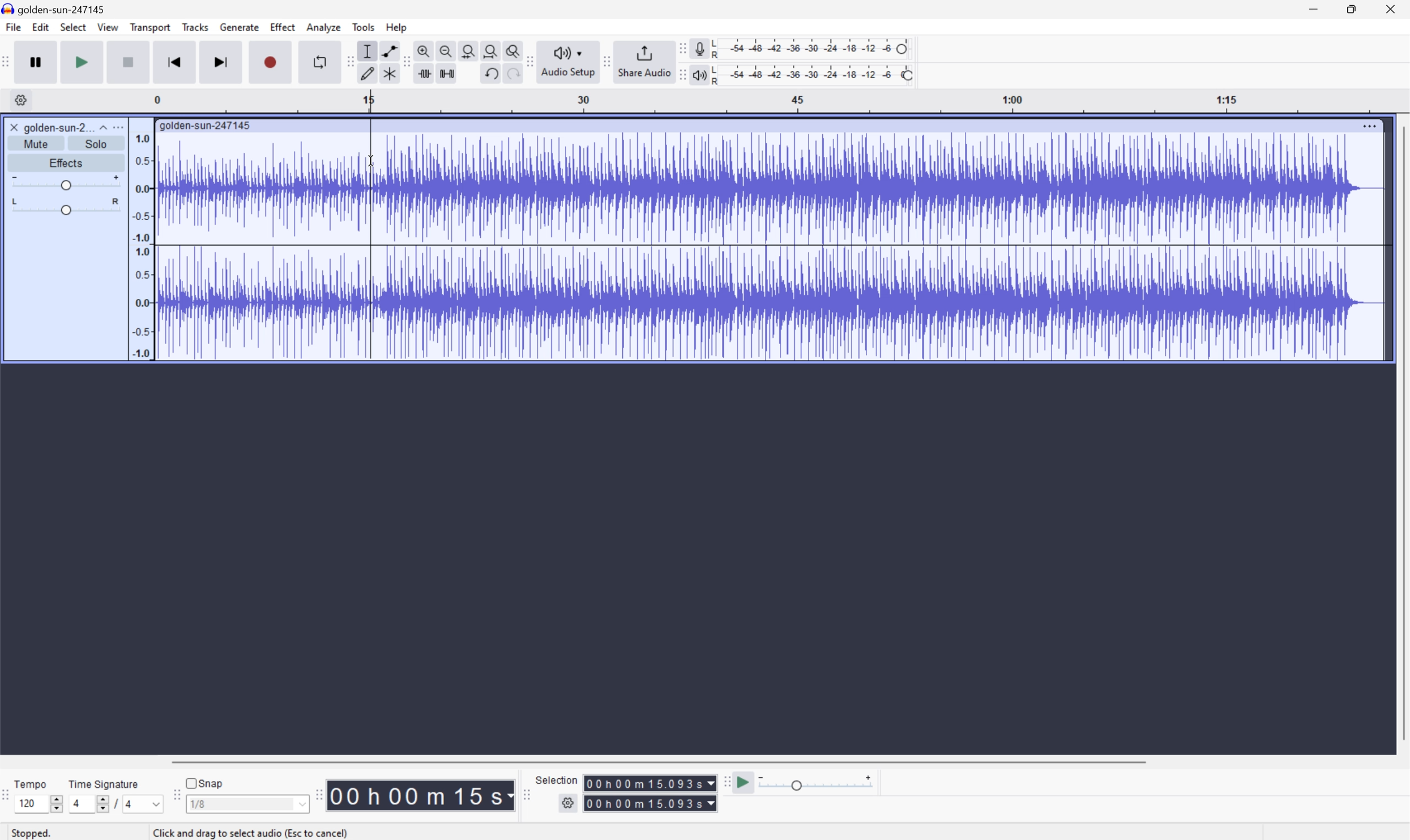 The width and height of the screenshot is (1410, 840). What do you see at coordinates (607, 60) in the screenshot?
I see `Audacity Share audio toolbar` at bounding box center [607, 60].